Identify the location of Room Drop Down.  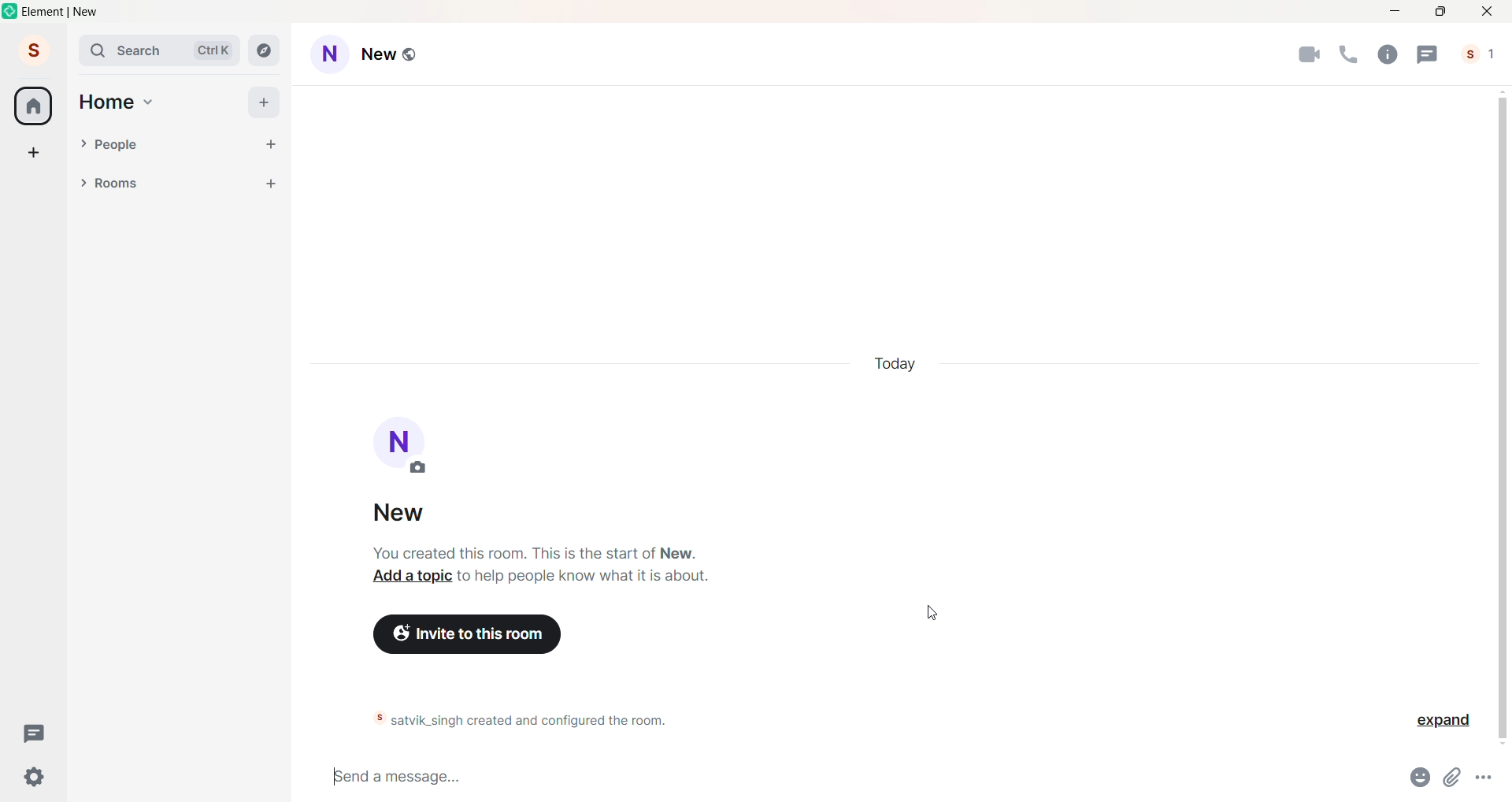
(83, 183).